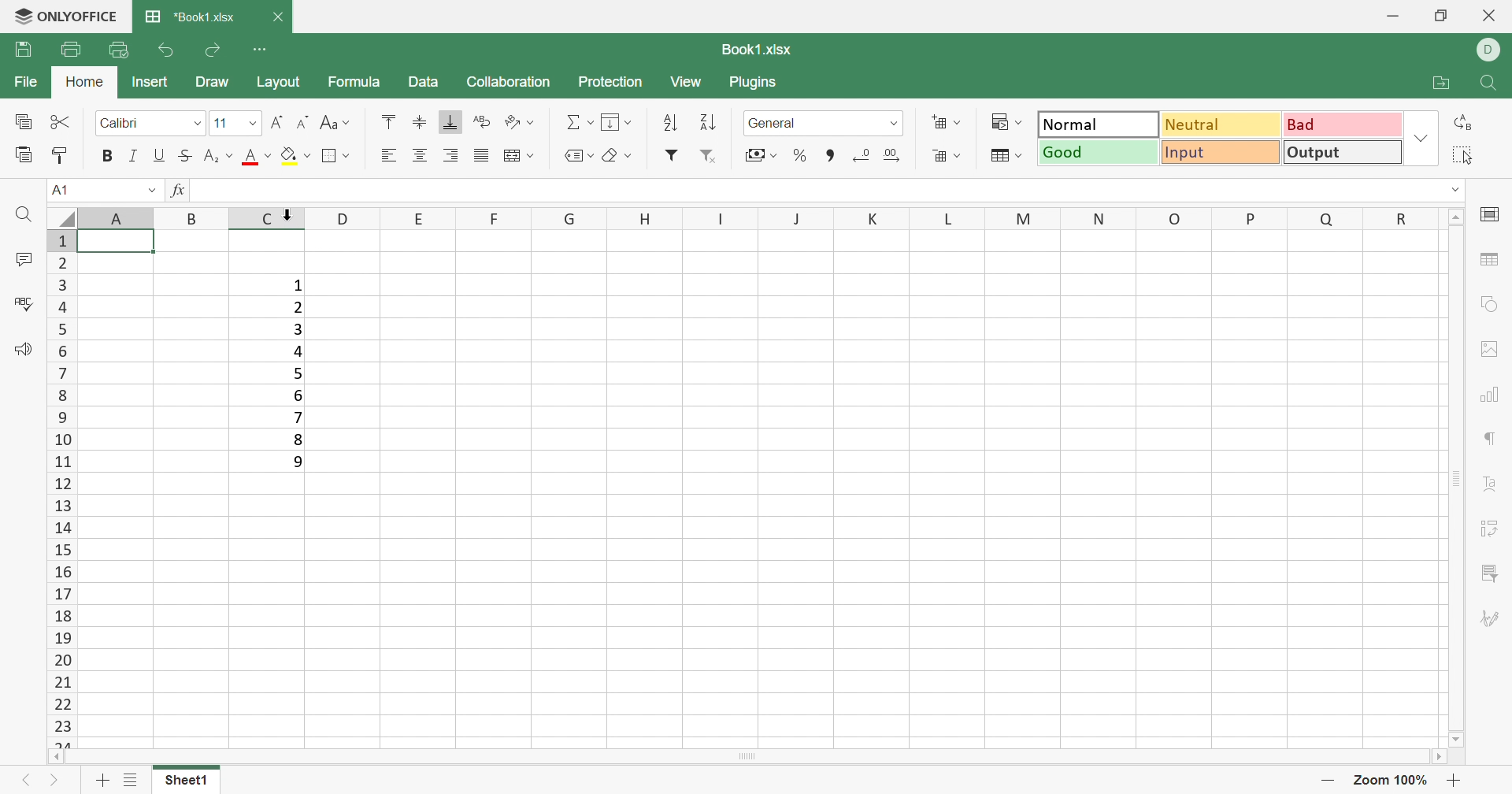 The width and height of the screenshot is (1512, 794). What do you see at coordinates (757, 50) in the screenshot?
I see `Book1.xlsx` at bounding box center [757, 50].